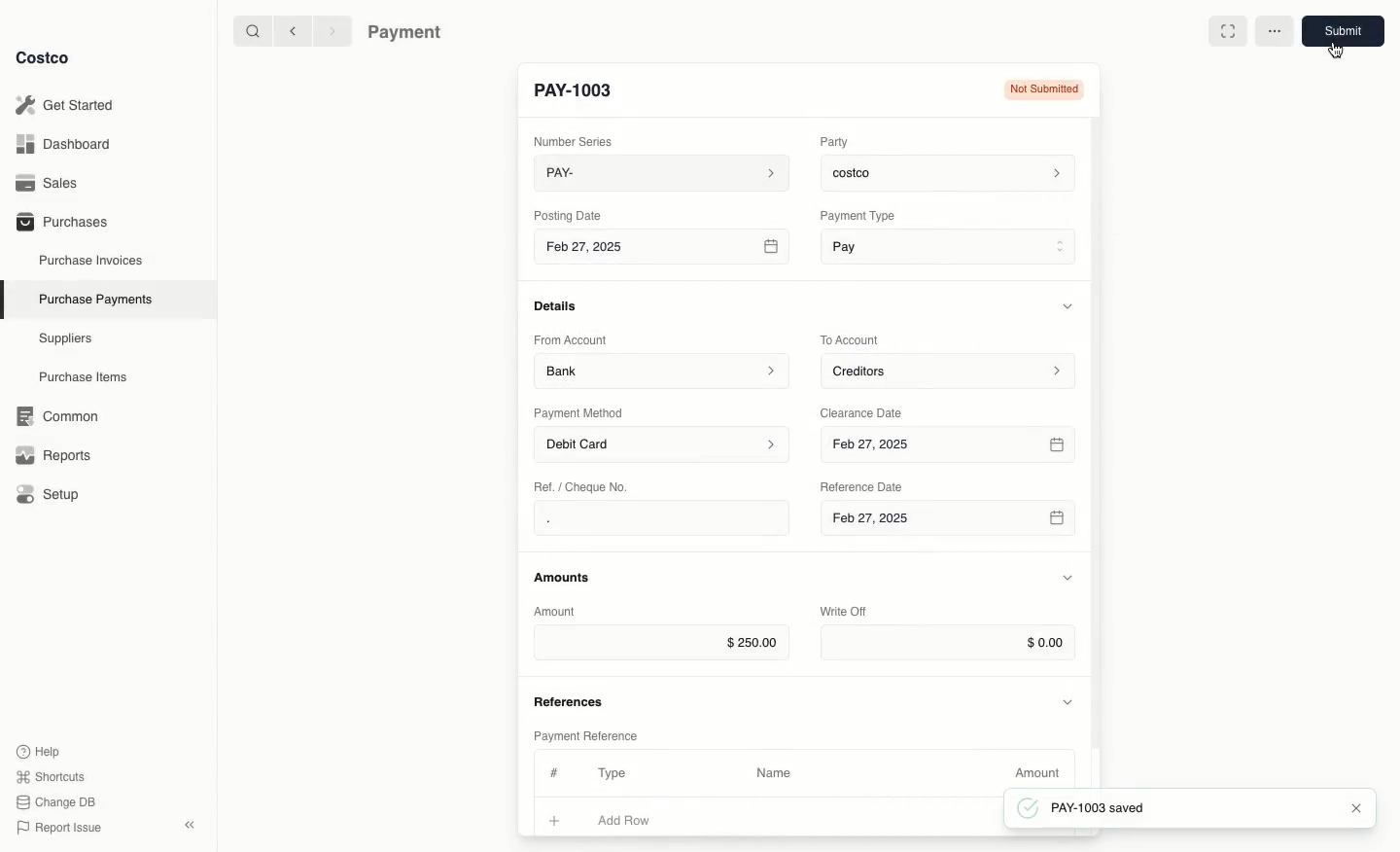 The width and height of the screenshot is (1400, 852). I want to click on ‘Reference Date, so click(863, 486).